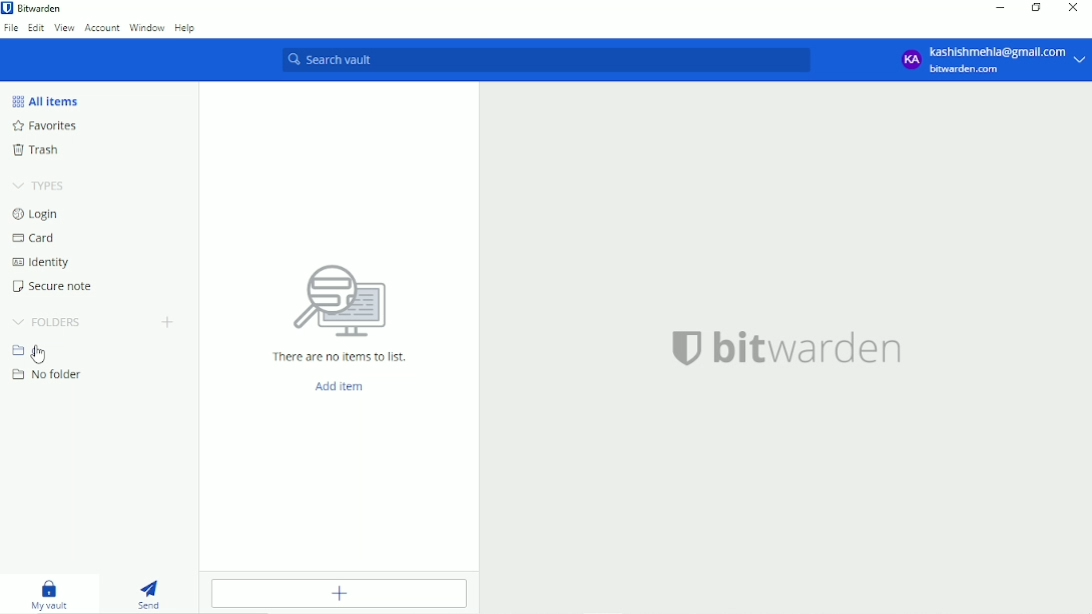  I want to click on search for file vector, so click(338, 300).